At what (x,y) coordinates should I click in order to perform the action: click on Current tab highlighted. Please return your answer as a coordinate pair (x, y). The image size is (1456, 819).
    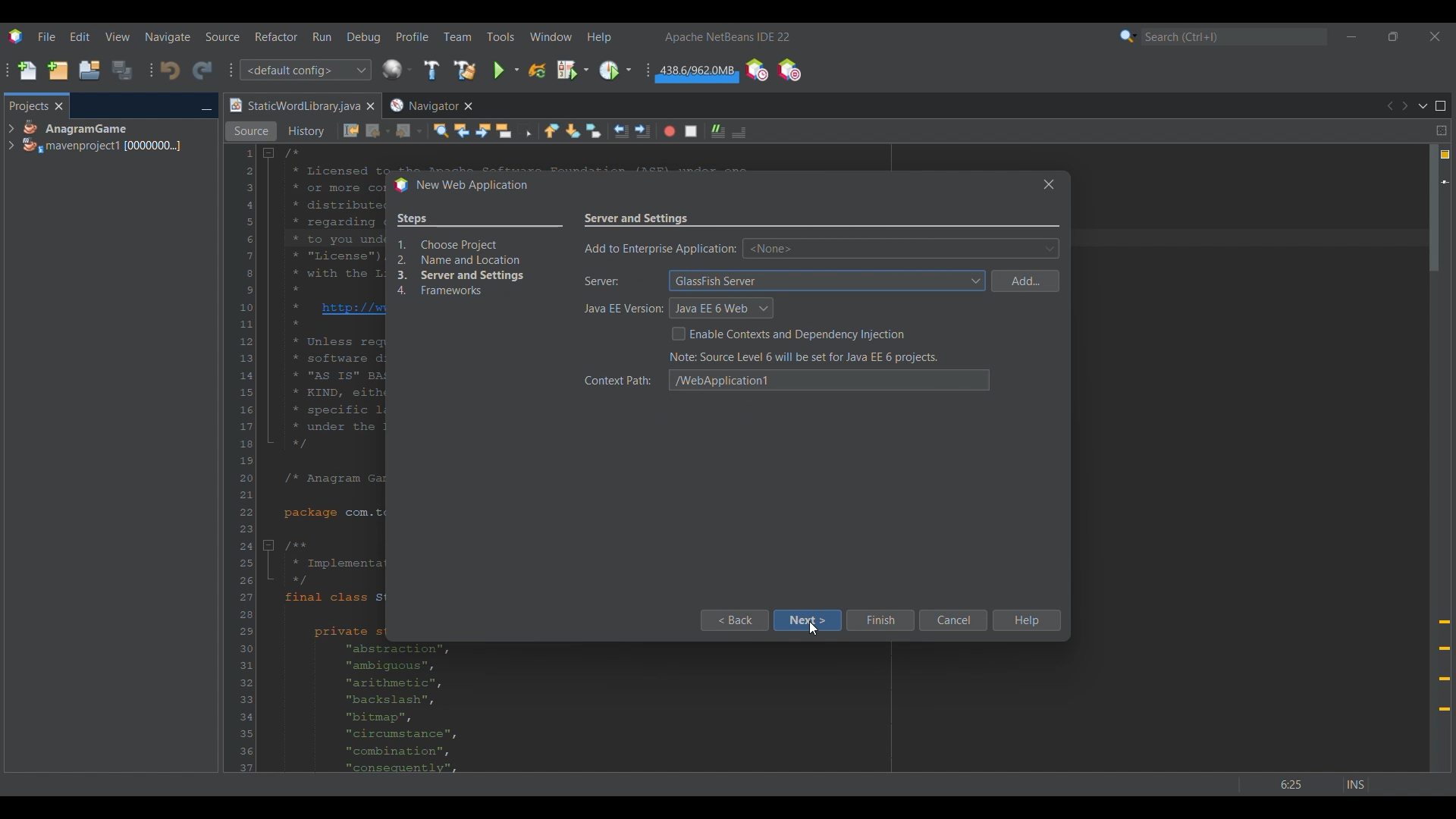
    Looking at the image, I should click on (293, 106).